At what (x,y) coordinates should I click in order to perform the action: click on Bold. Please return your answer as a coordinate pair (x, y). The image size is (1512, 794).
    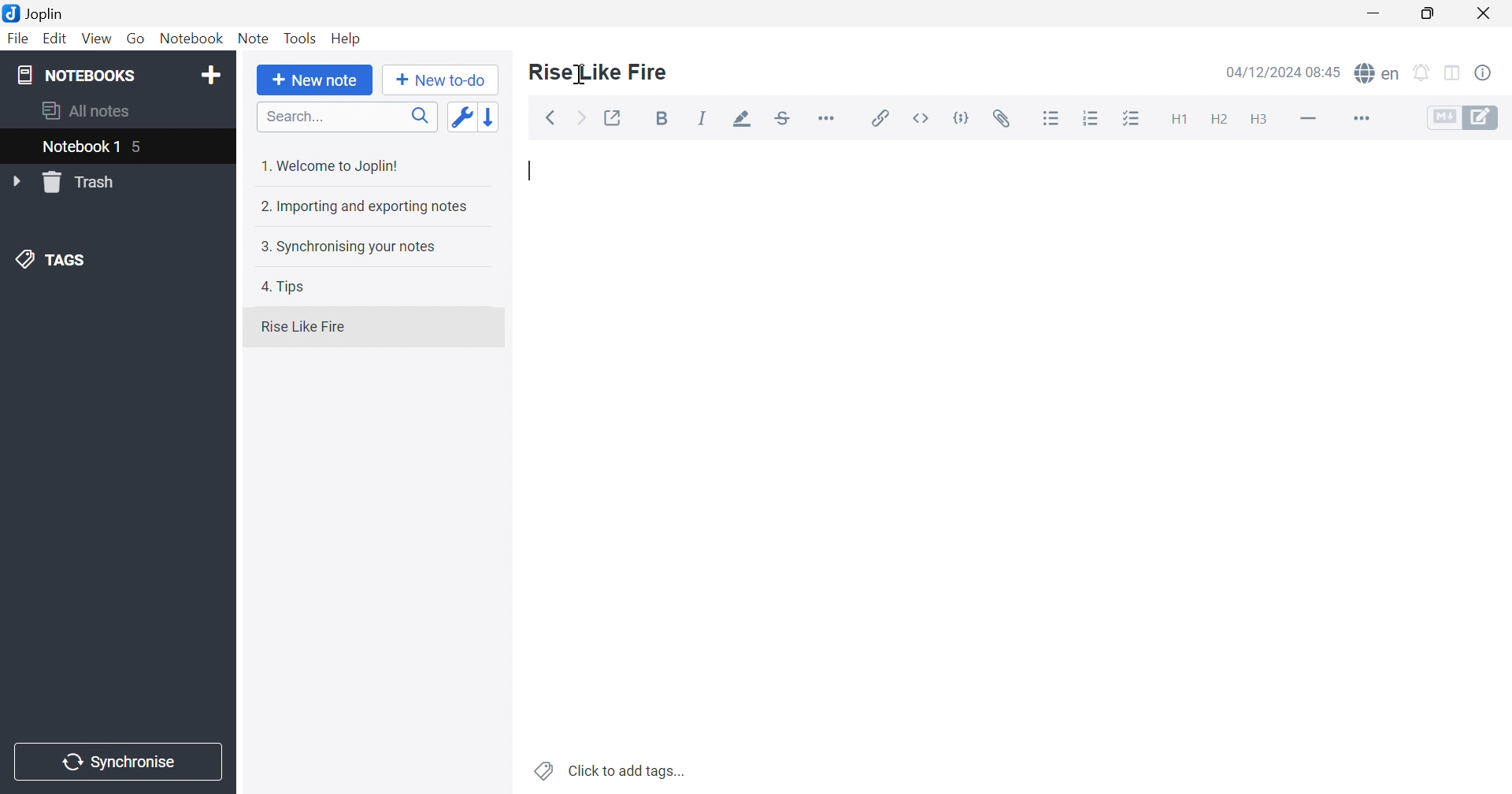
    Looking at the image, I should click on (661, 117).